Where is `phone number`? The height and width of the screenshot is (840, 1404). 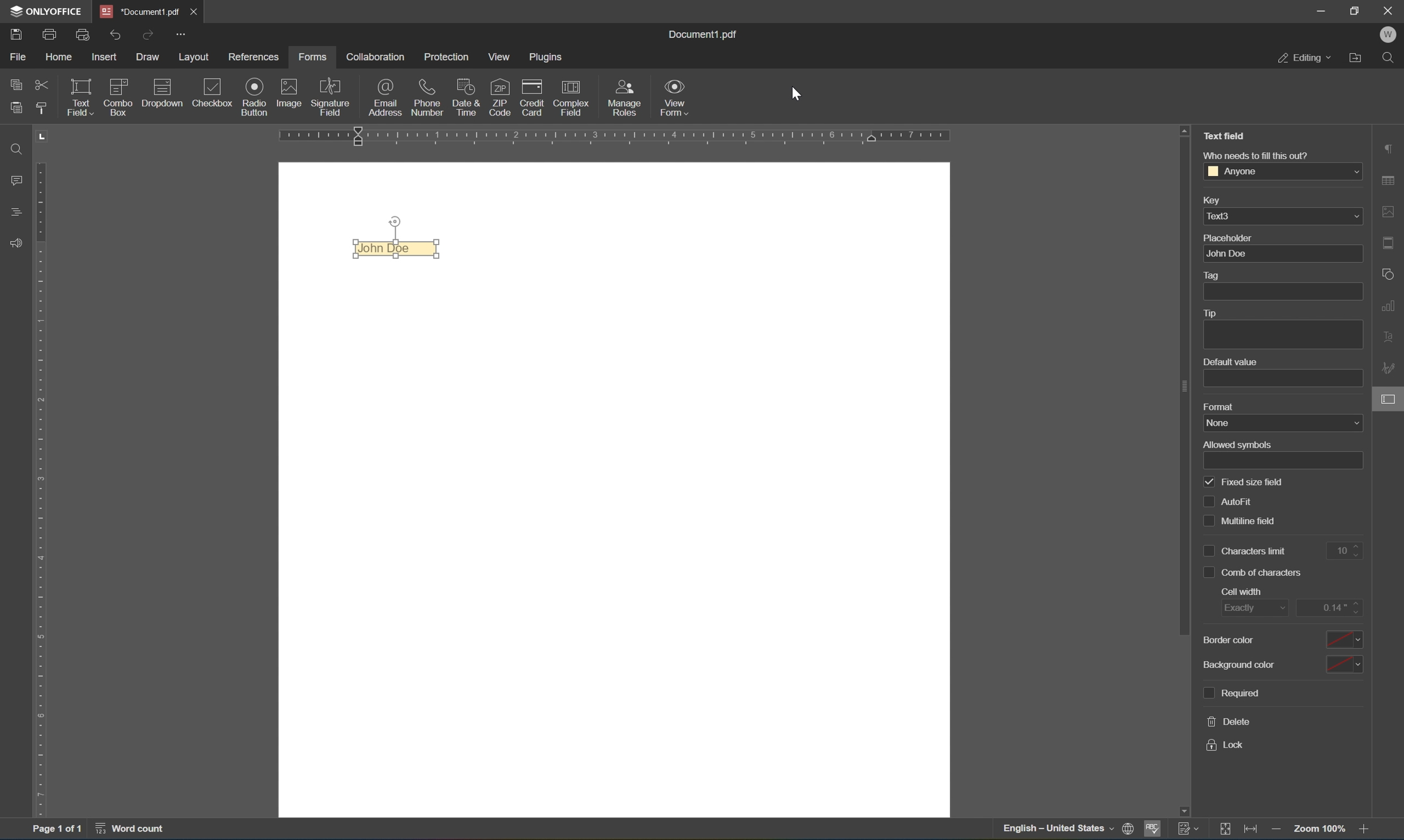 phone number is located at coordinates (427, 97).